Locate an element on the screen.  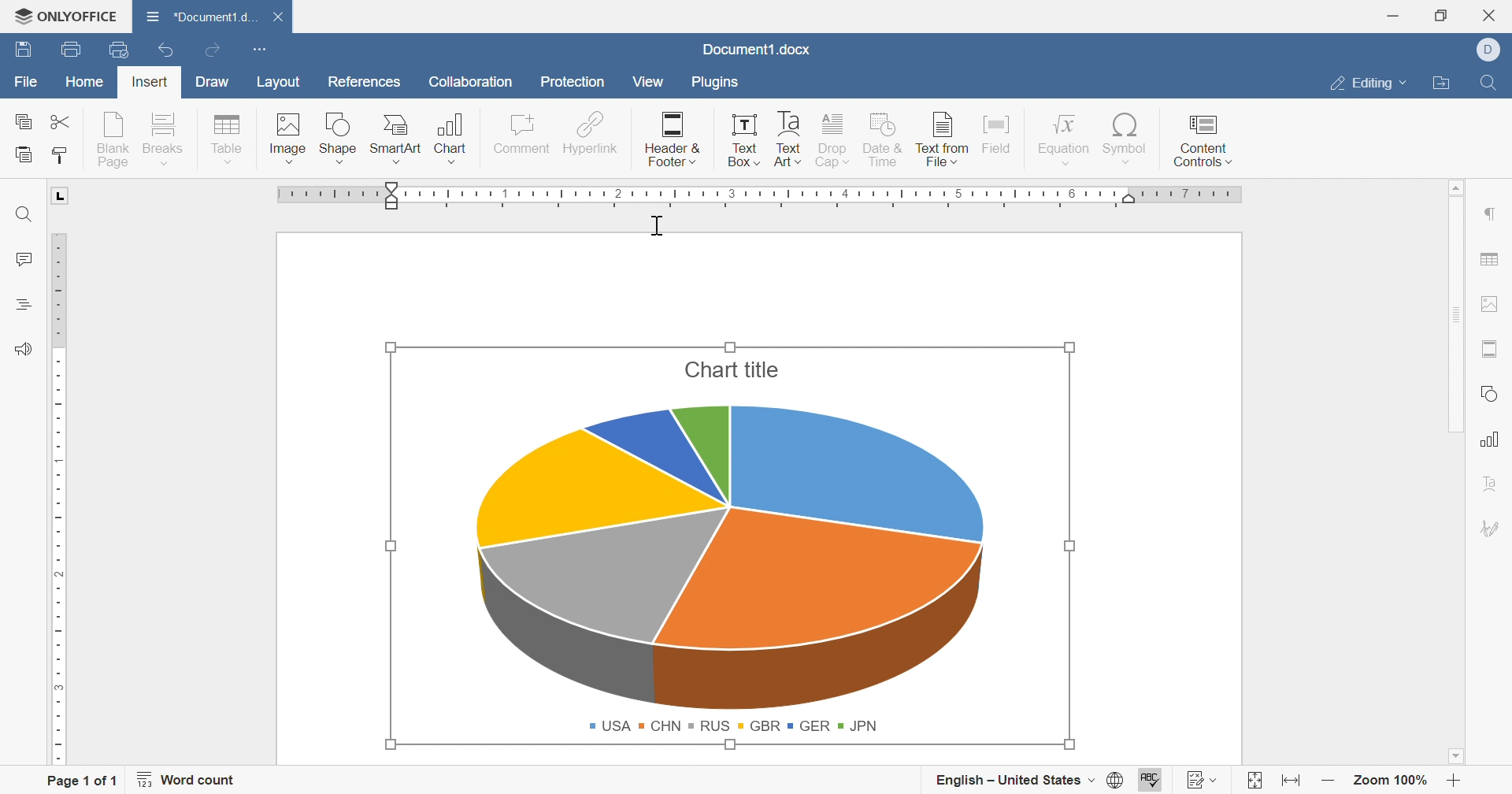
Editing is located at coordinates (1362, 84).